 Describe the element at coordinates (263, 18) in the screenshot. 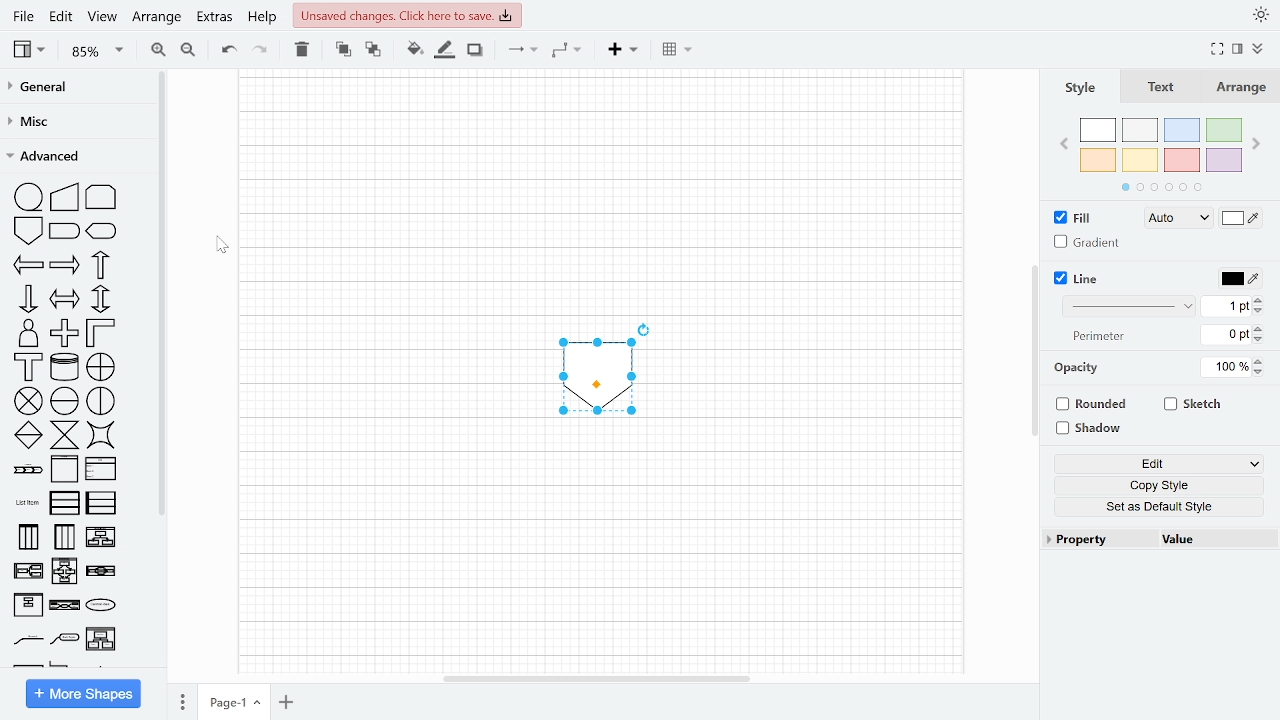

I see `Help` at that location.